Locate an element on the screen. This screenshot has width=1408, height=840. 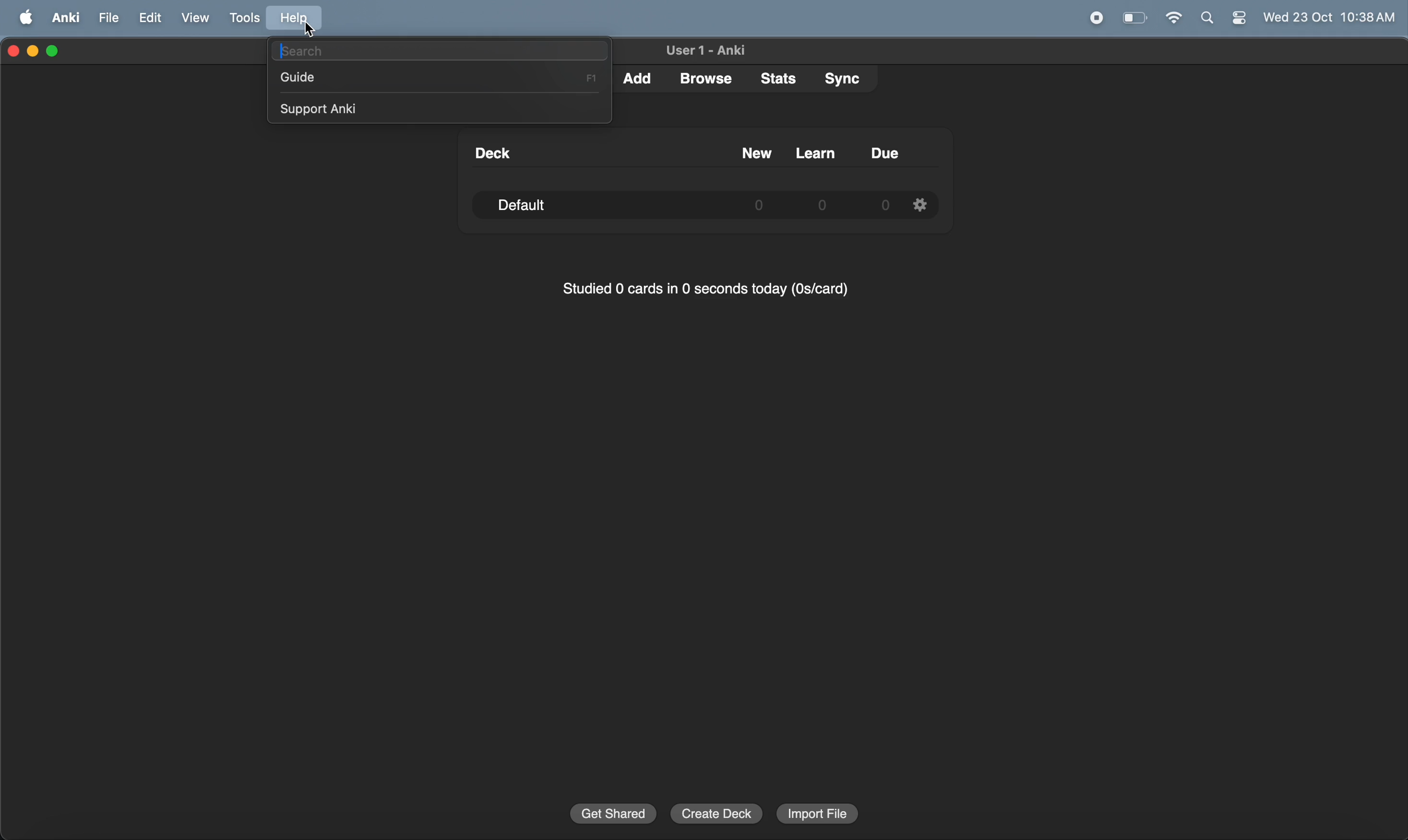
battery is located at coordinates (1134, 18).